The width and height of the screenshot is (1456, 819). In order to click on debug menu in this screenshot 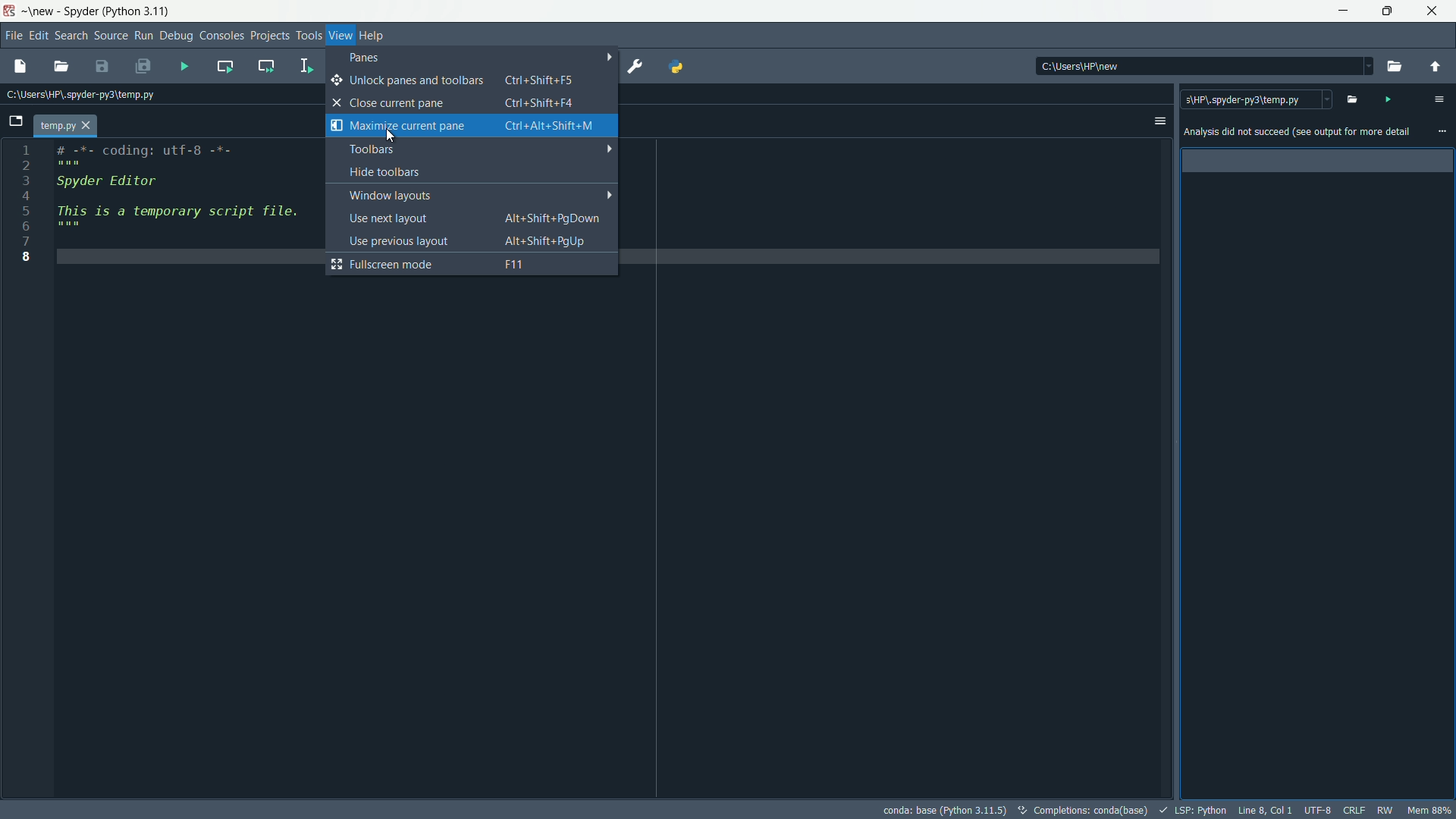, I will do `click(176, 35)`.